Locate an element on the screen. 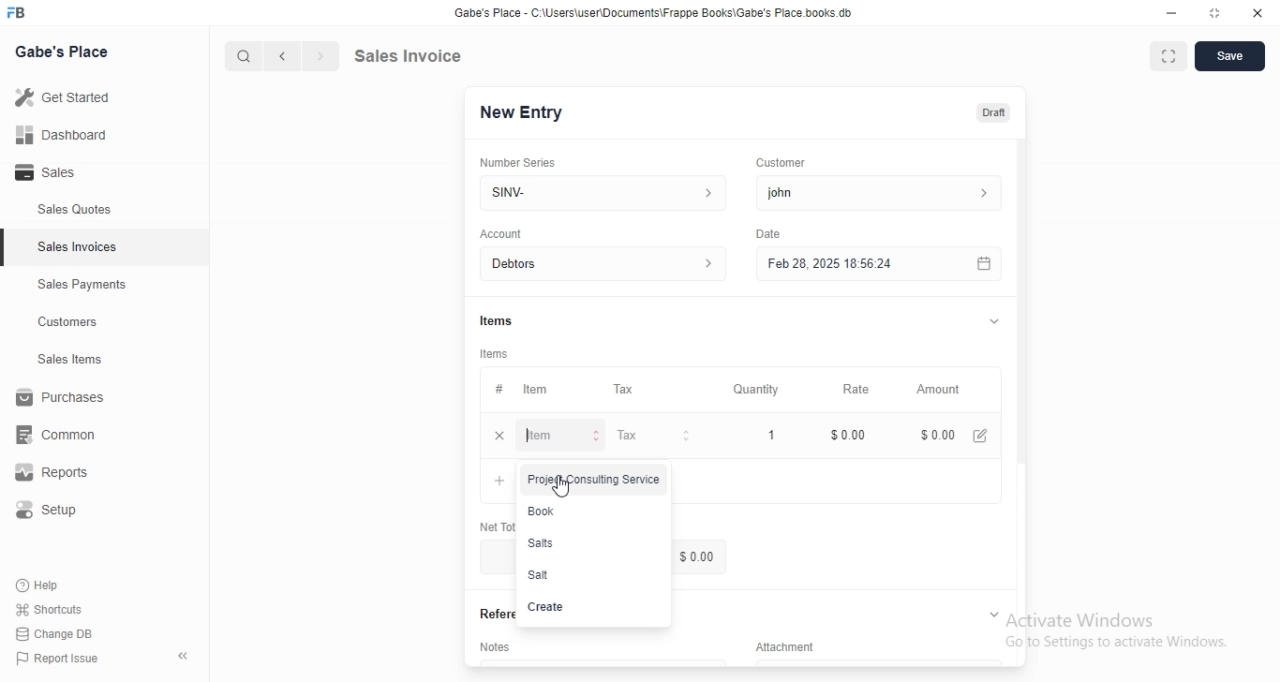 Image resolution: width=1280 pixels, height=682 pixels. ‘Notes is located at coordinates (499, 650).